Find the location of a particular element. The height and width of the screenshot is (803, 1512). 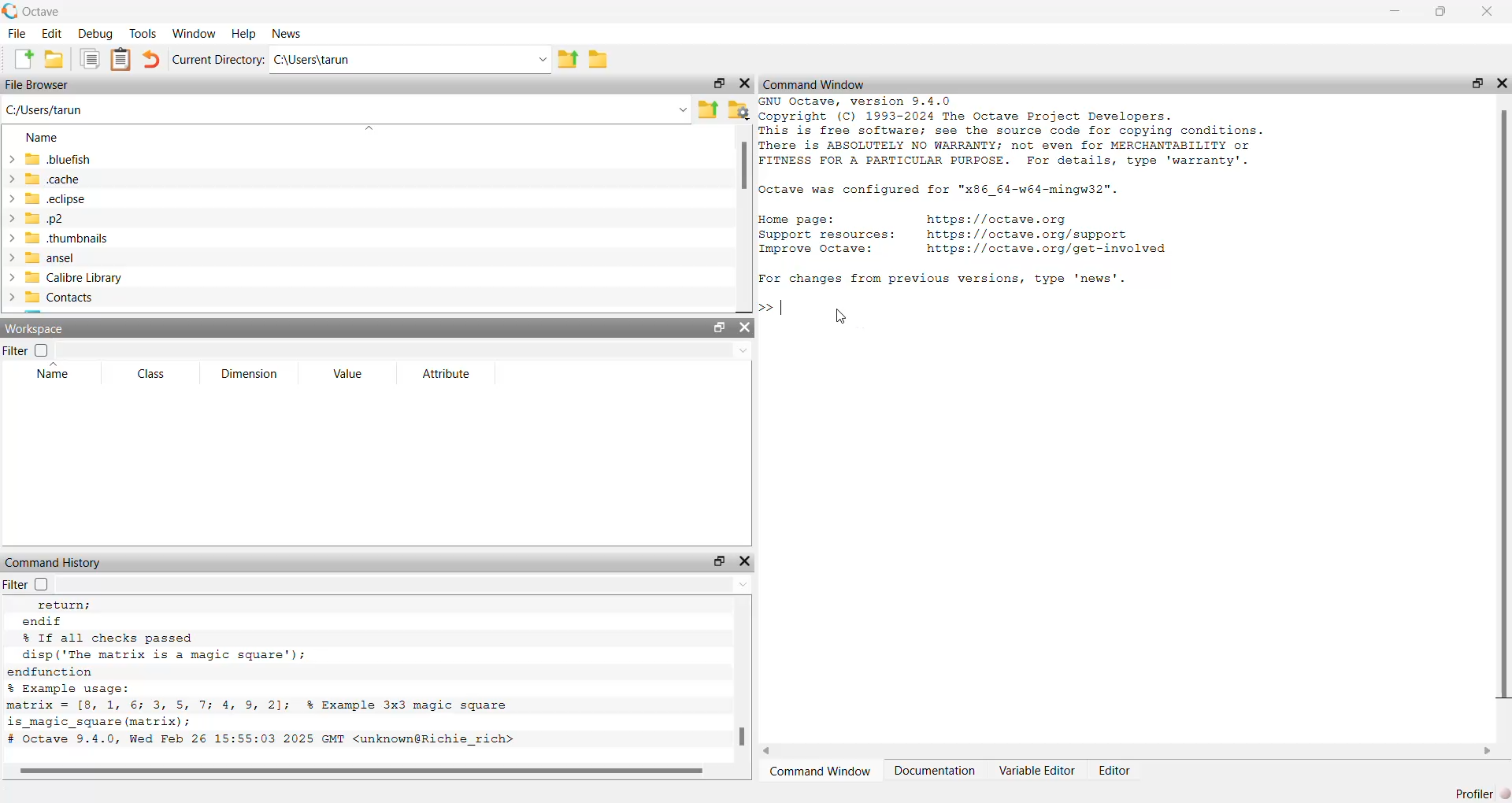

close is located at coordinates (745, 327).